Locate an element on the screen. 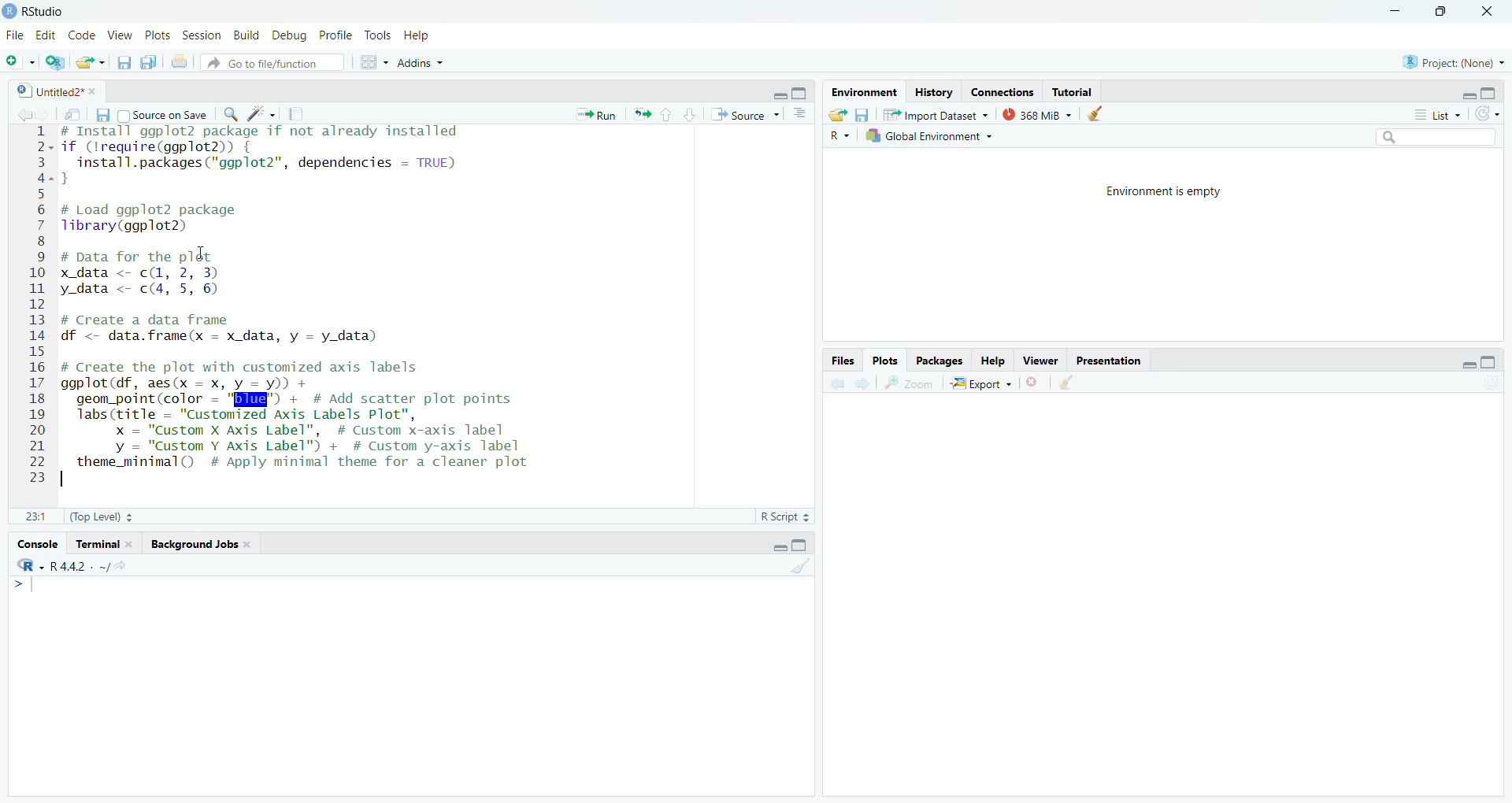 Image resolution: width=1512 pixels, height=803 pixels. print is located at coordinates (181, 65).